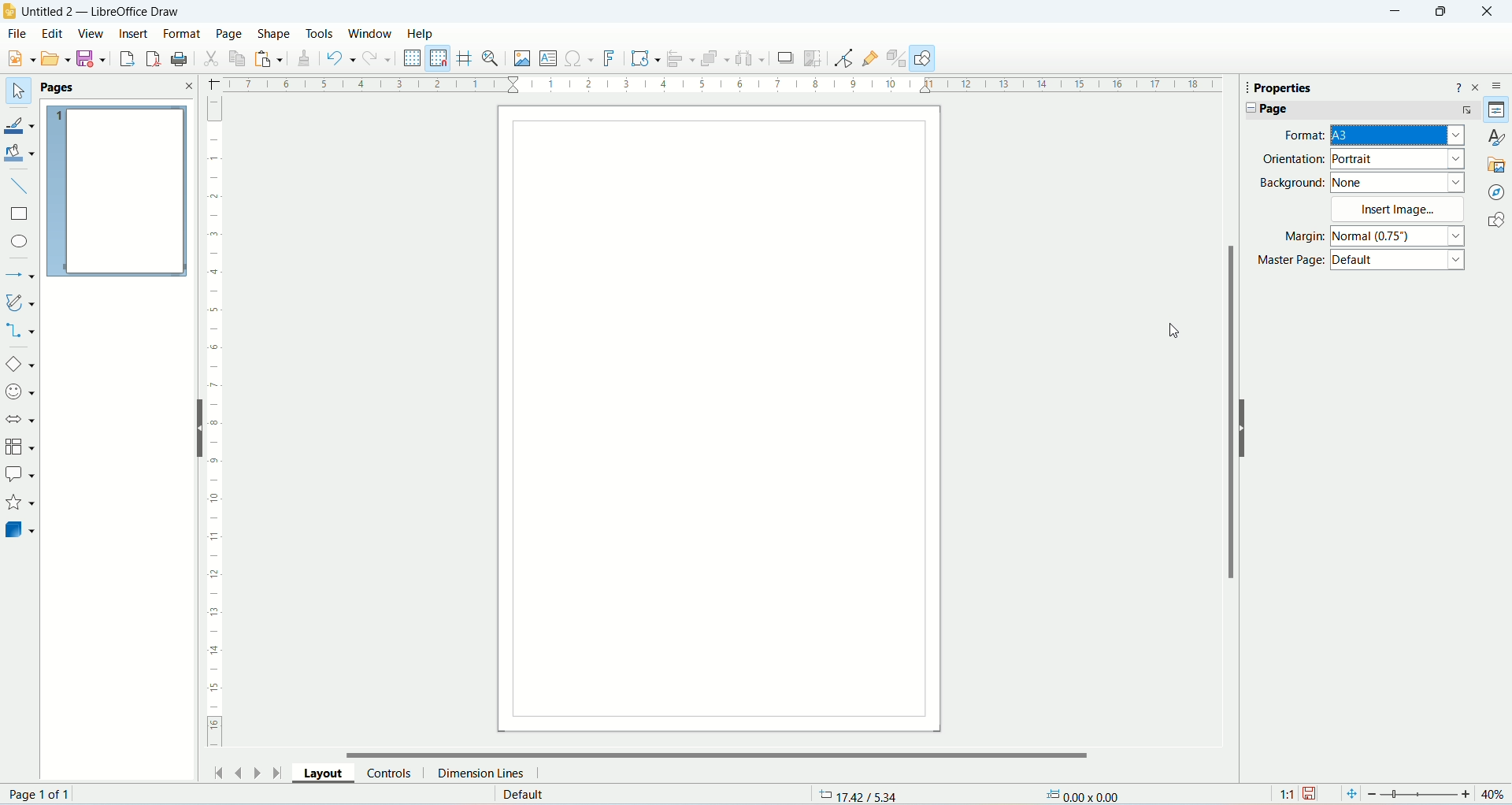 The width and height of the screenshot is (1512, 805). I want to click on insert image, so click(1401, 210).